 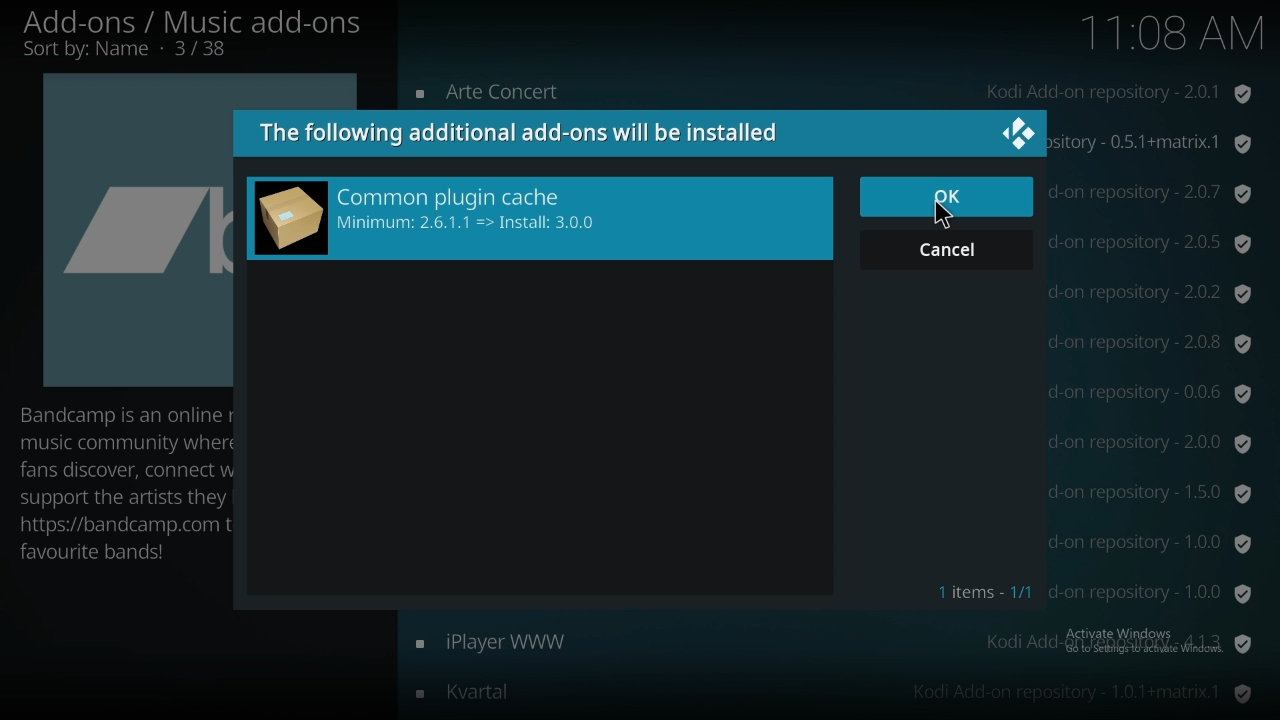 I want to click on cancel, so click(x=947, y=248).